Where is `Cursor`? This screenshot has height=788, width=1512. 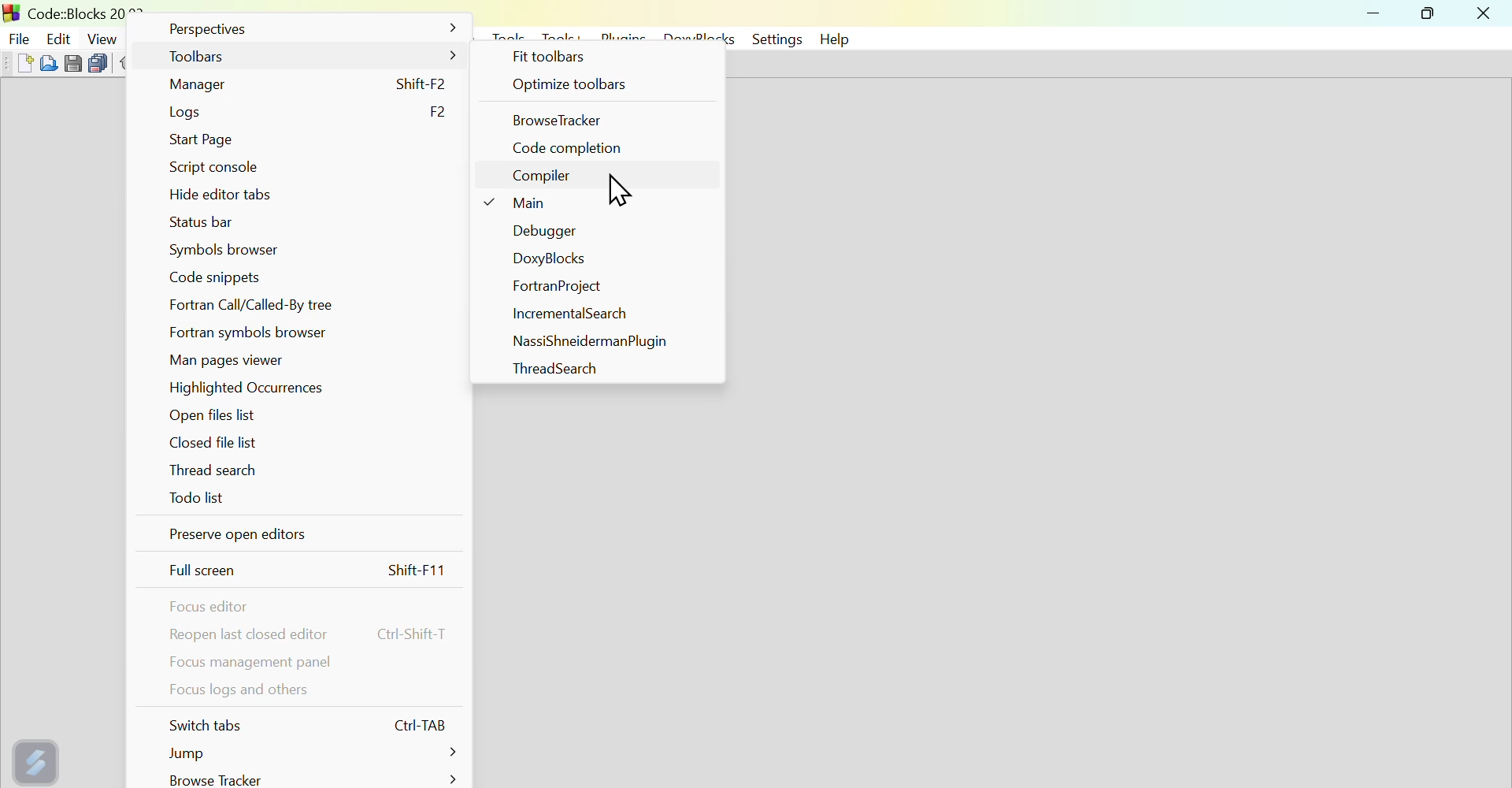 Cursor is located at coordinates (623, 191).